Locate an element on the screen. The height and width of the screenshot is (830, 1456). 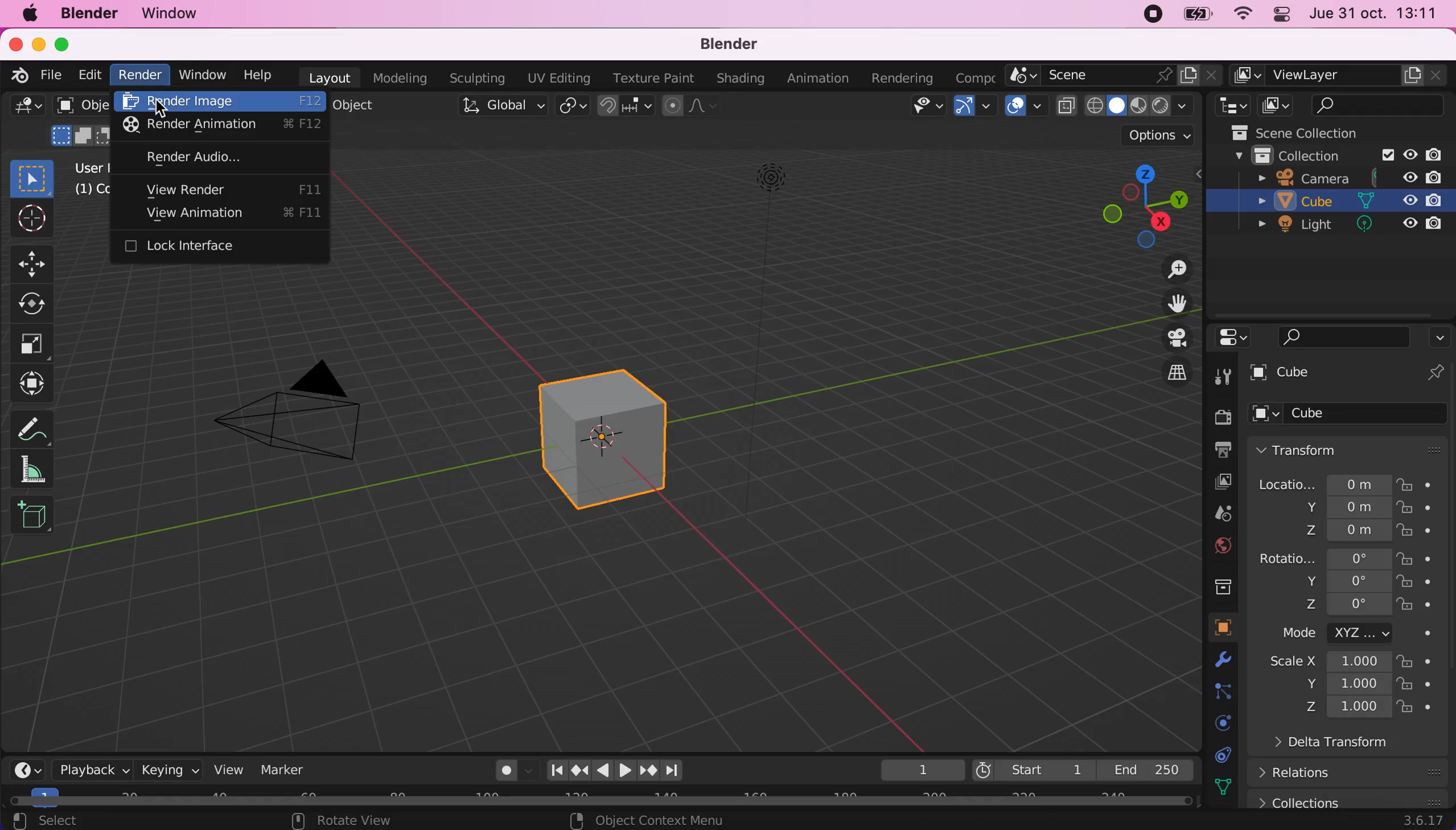
rotate is located at coordinates (34, 302).